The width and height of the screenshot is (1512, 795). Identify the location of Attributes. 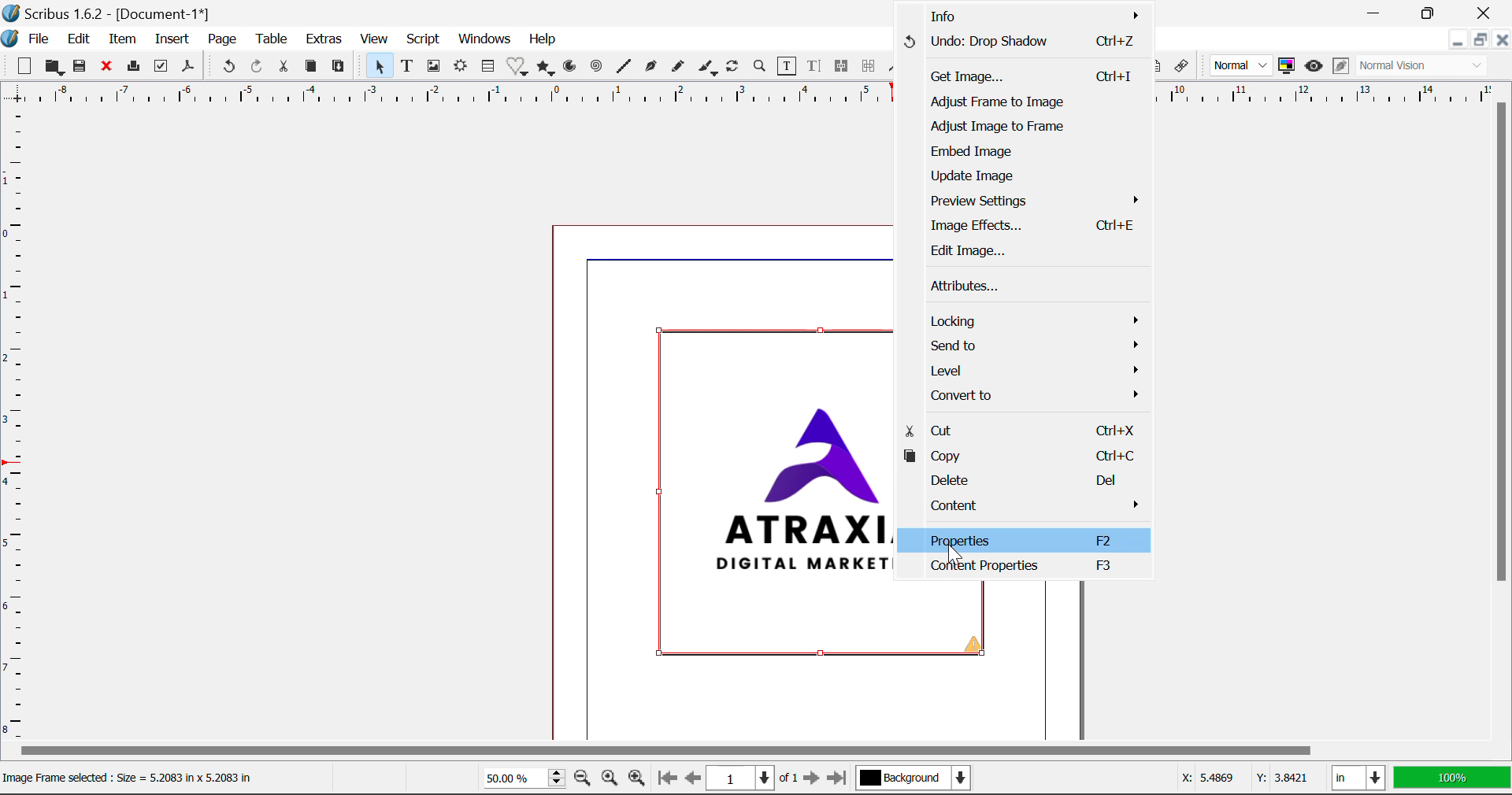
(1036, 287).